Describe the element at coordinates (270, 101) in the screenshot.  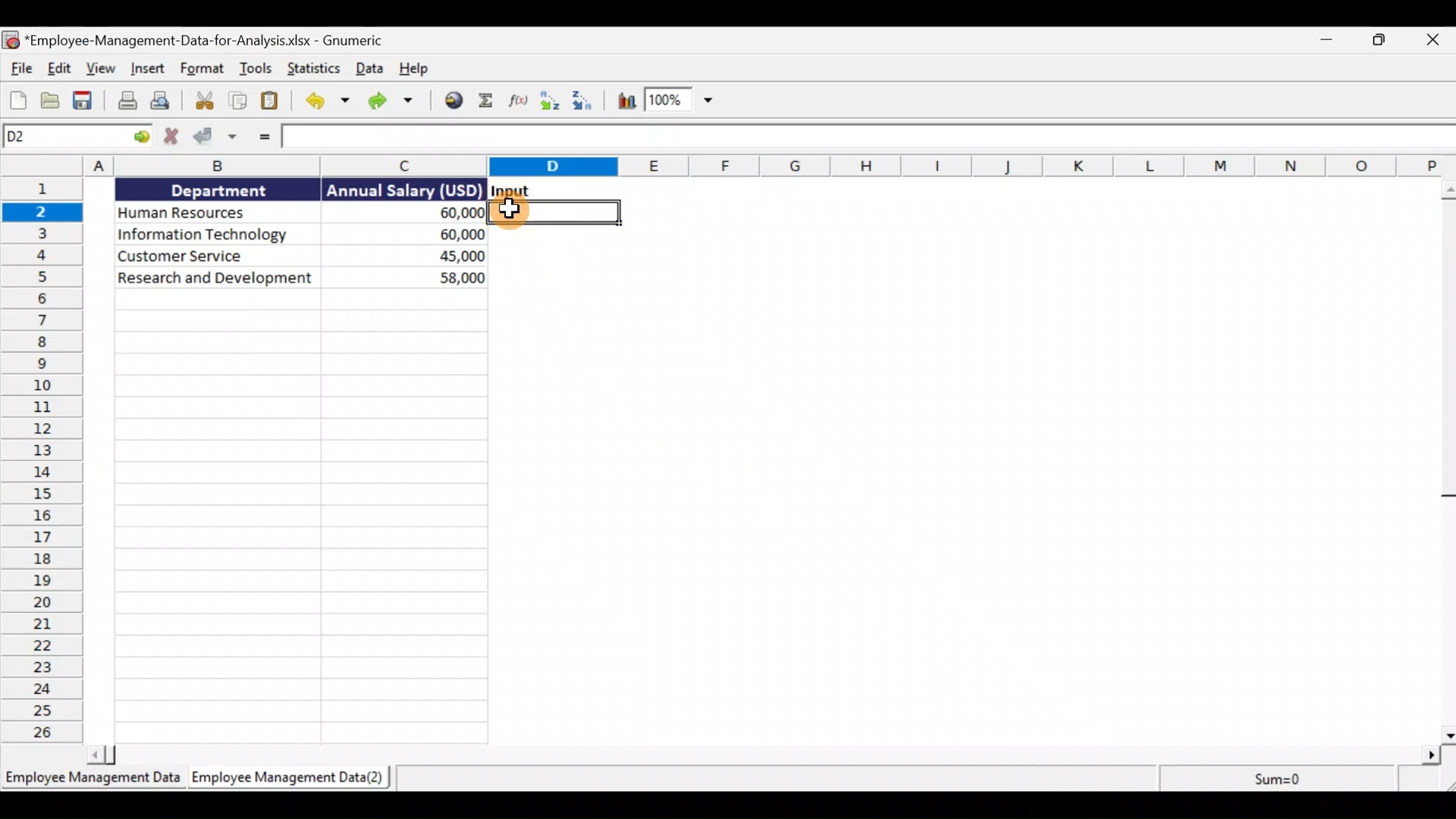
I see `Paste clipboard` at that location.